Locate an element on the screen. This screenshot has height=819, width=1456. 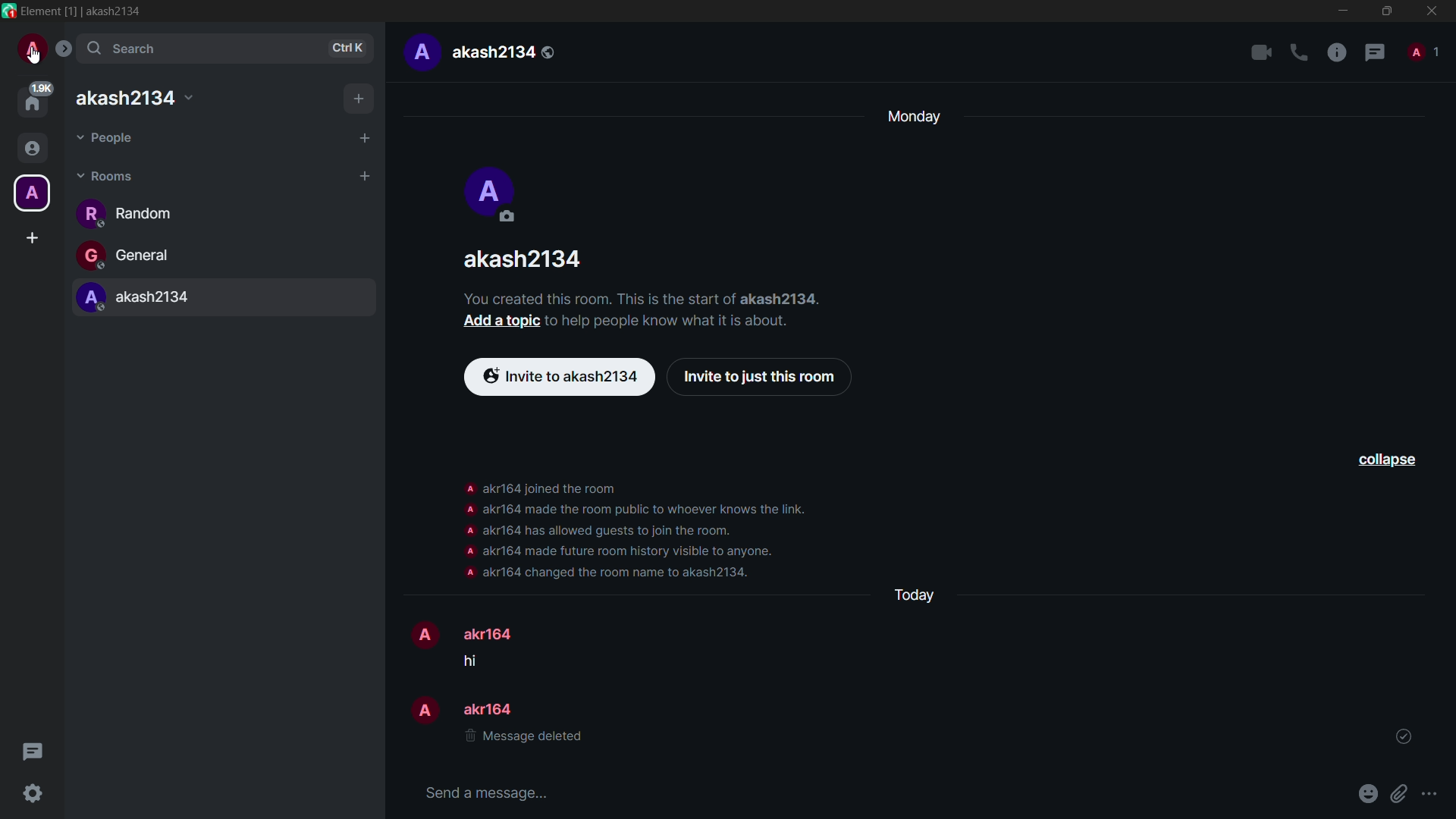
message deleted is located at coordinates (524, 739).